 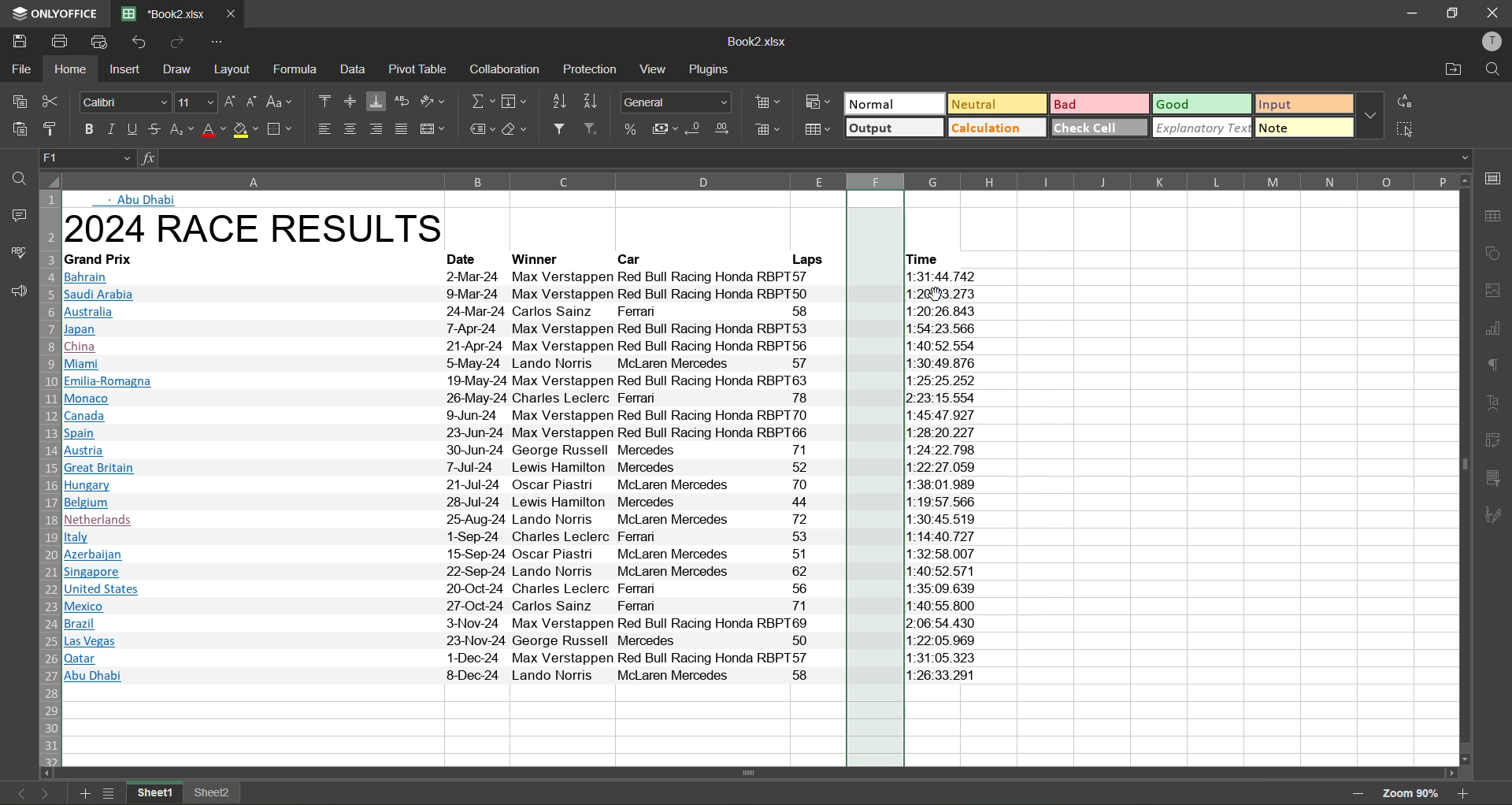 What do you see at coordinates (556, 102) in the screenshot?
I see `sort ascending` at bounding box center [556, 102].